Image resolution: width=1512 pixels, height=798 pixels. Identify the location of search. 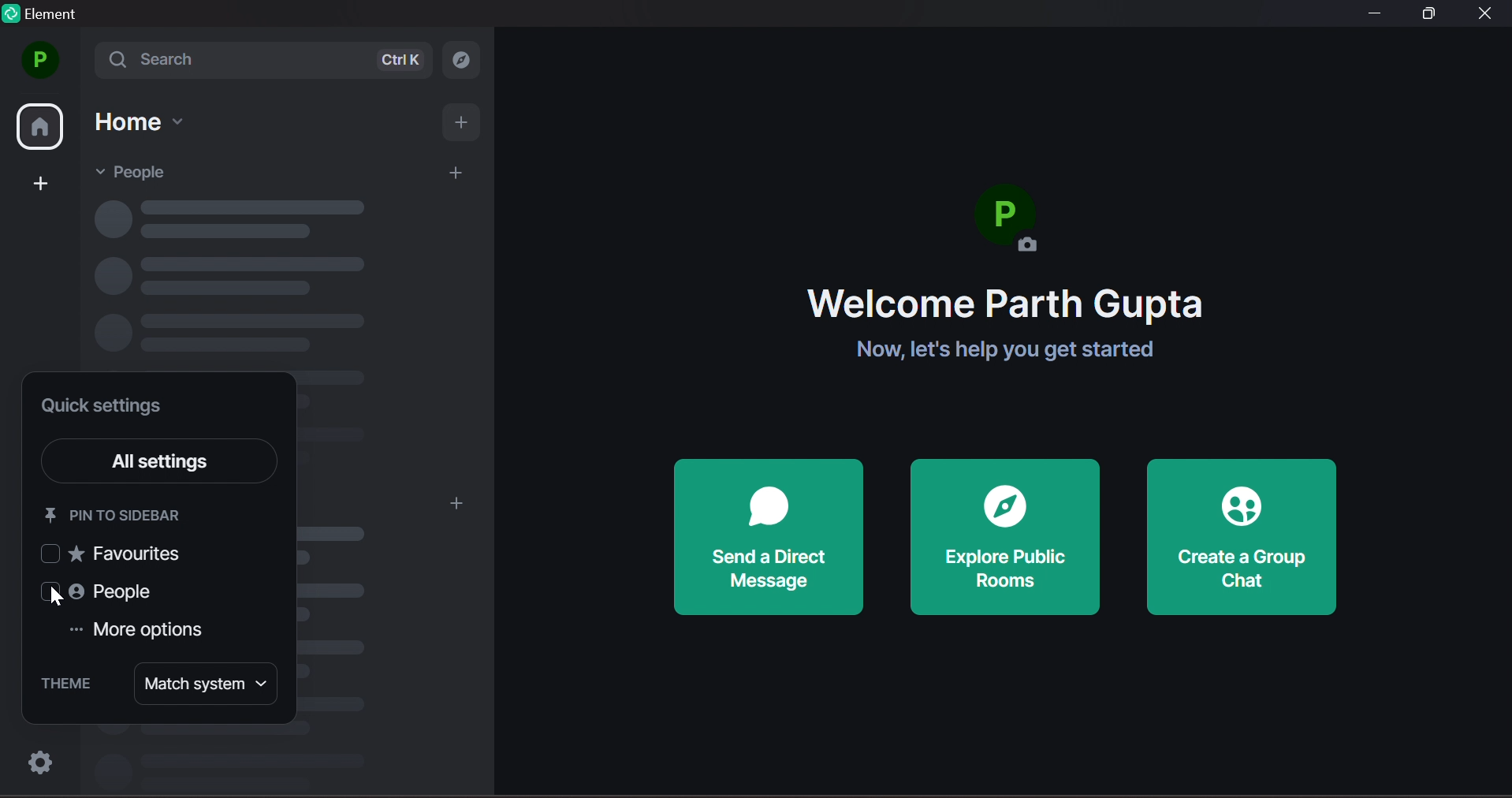
(268, 59).